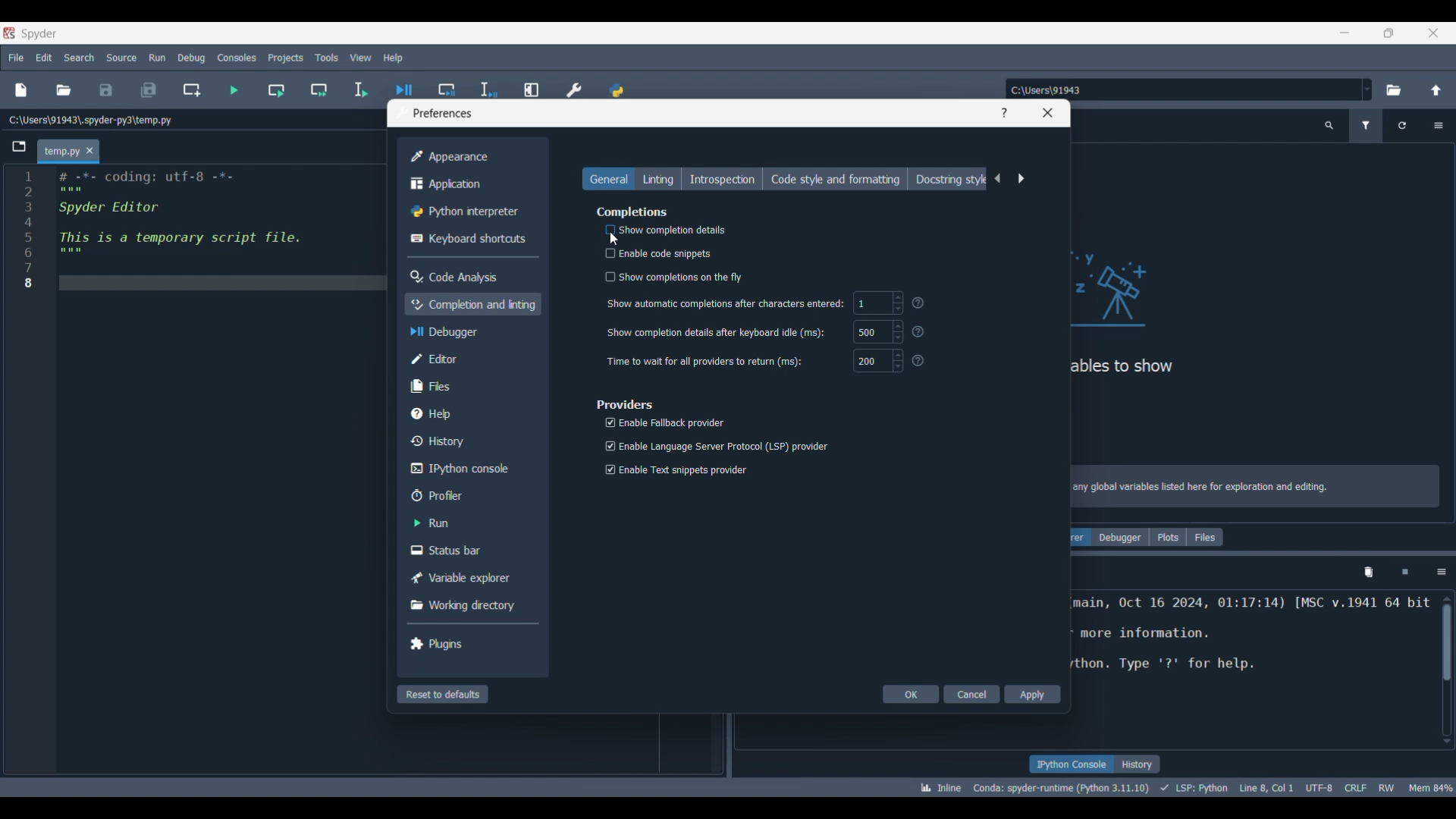  What do you see at coordinates (469, 522) in the screenshot?
I see `Run` at bounding box center [469, 522].